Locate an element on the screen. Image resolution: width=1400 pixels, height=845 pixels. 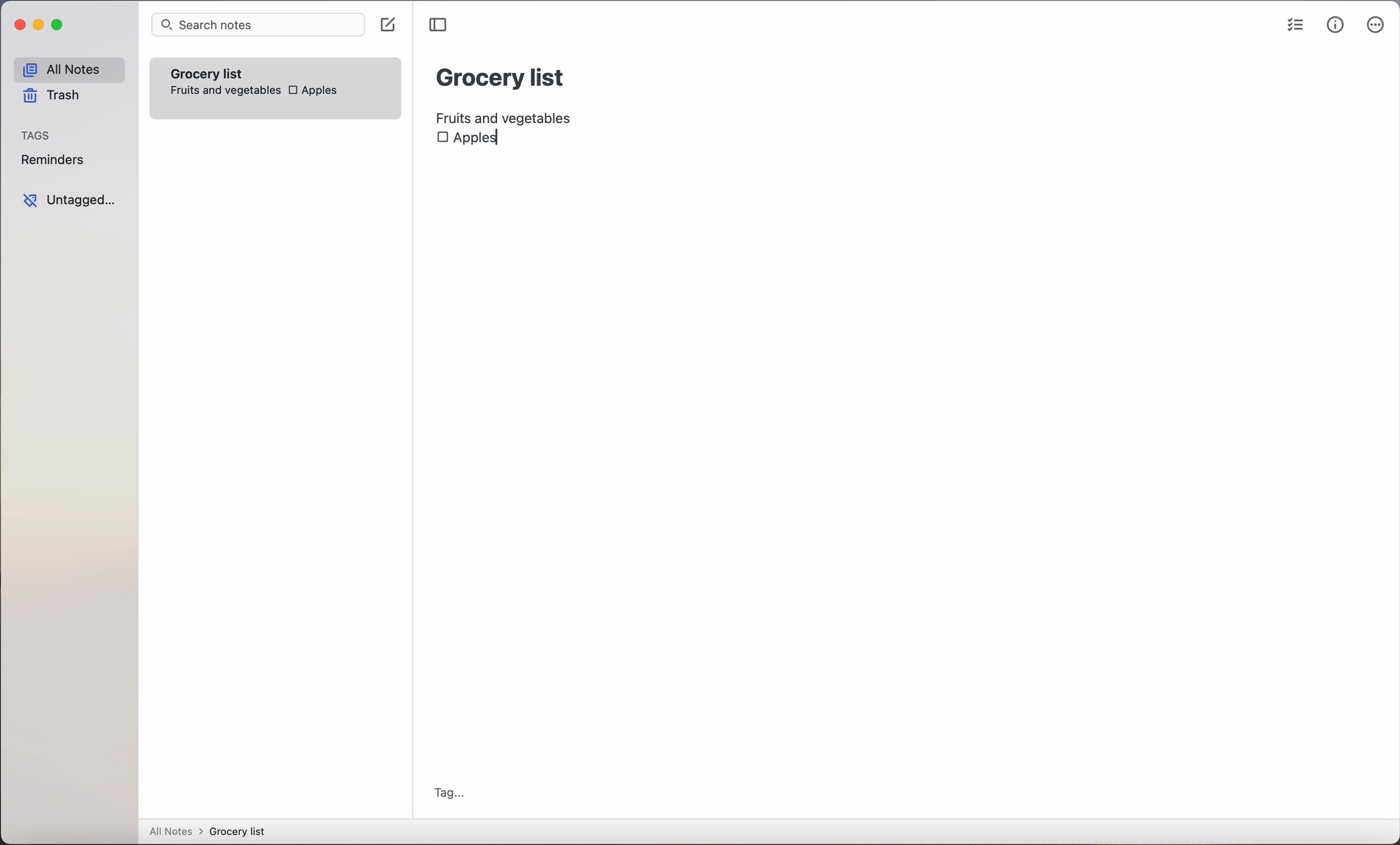
untagged is located at coordinates (69, 200).